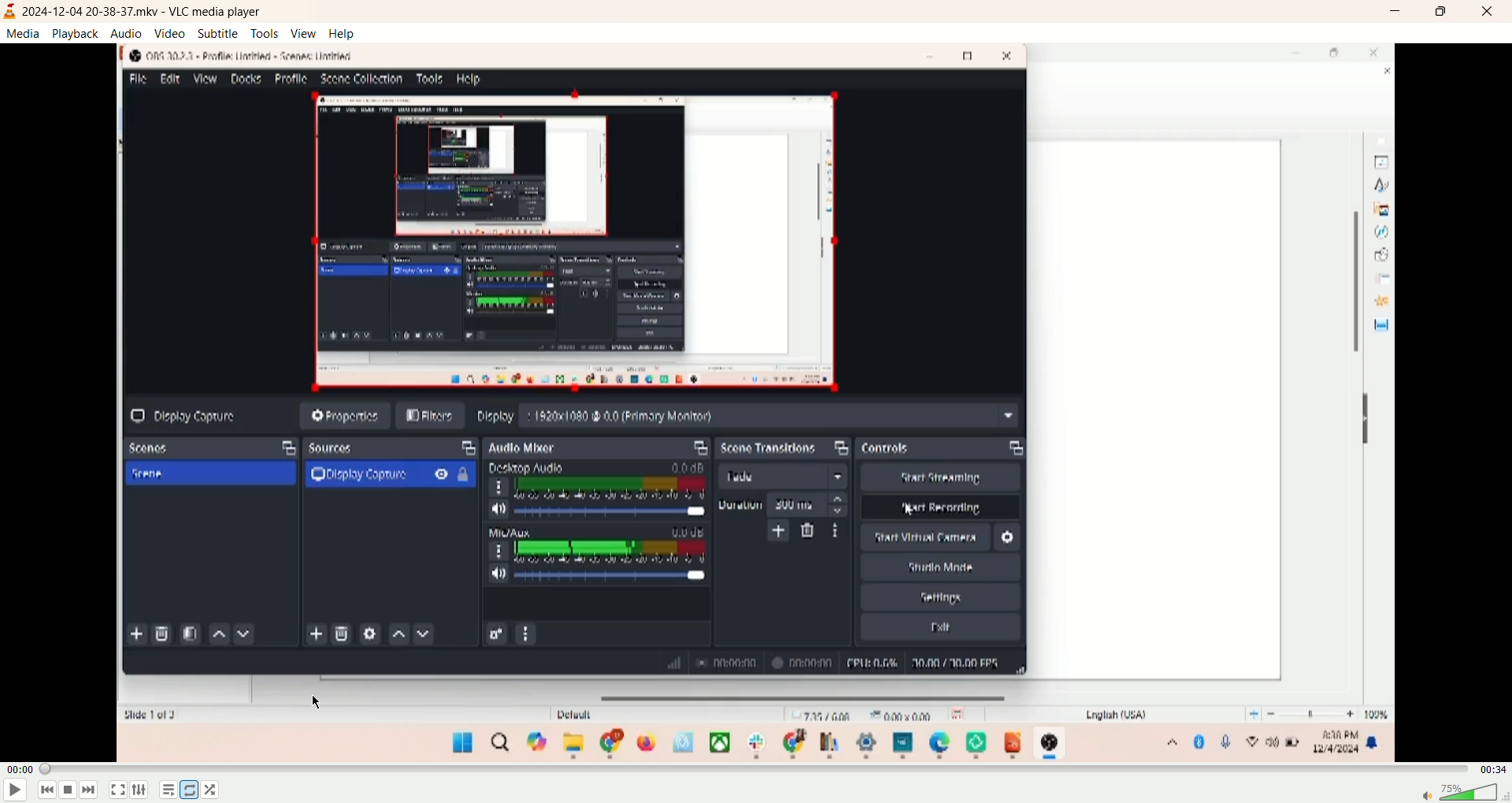 This screenshot has height=803, width=1512. What do you see at coordinates (140, 790) in the screenshot?
I see `extended settings` at bounding box center [140, 790].